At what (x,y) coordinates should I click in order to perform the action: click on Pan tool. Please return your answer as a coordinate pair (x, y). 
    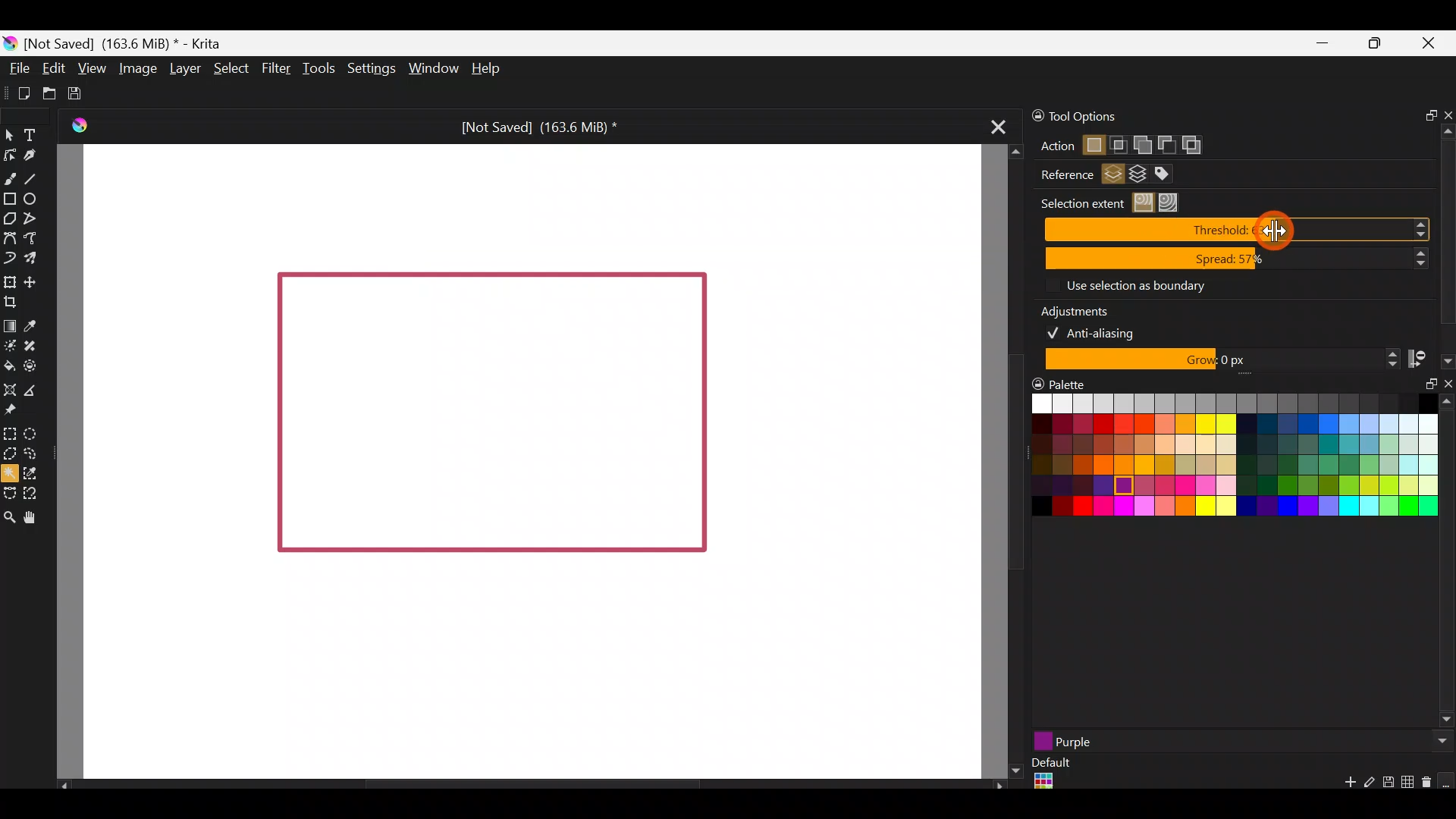
    Looking at the image, I should click on (35, 516).